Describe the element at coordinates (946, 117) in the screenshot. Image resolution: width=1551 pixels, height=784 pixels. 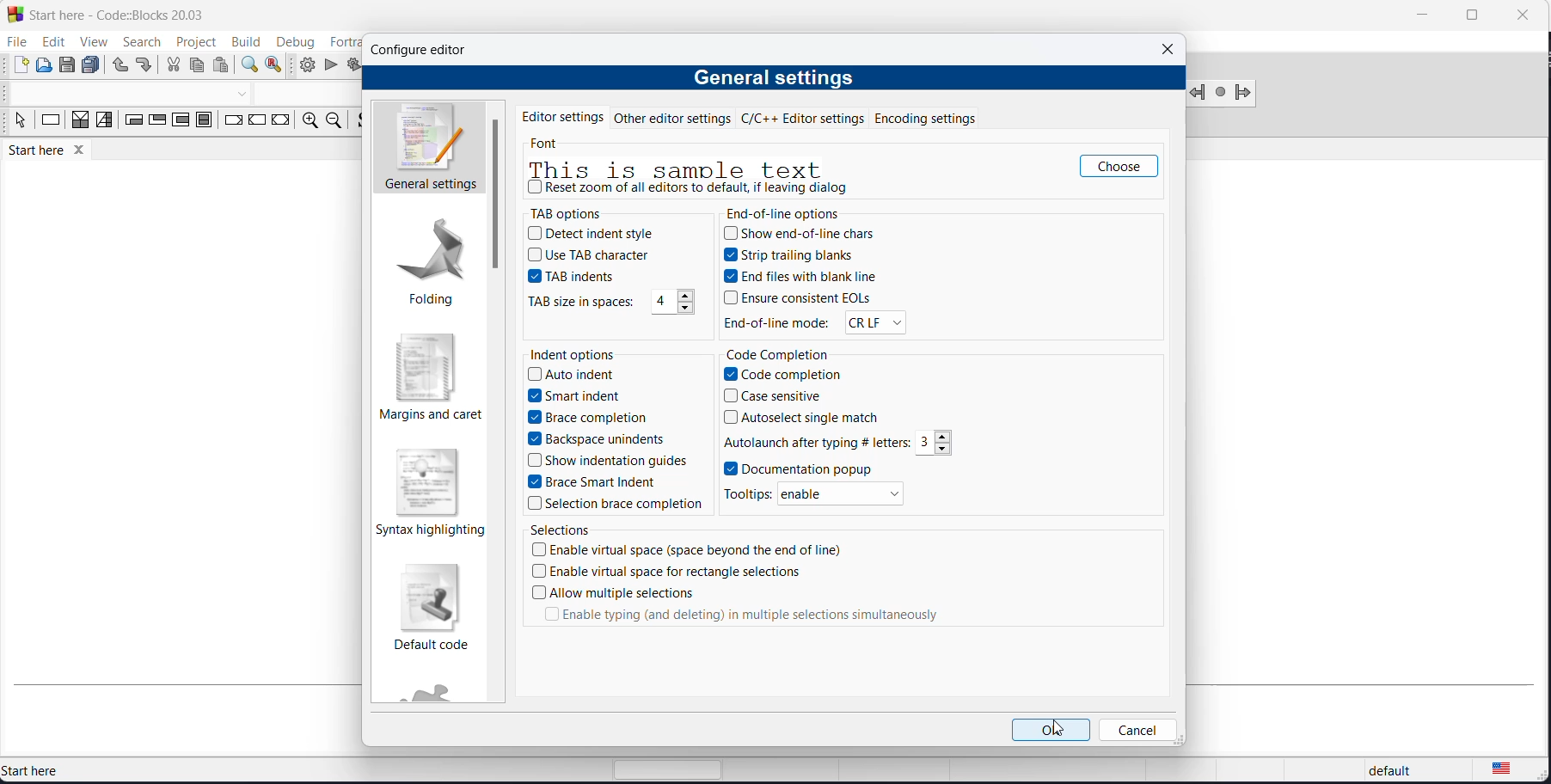
I see `encoding settings` at that location.